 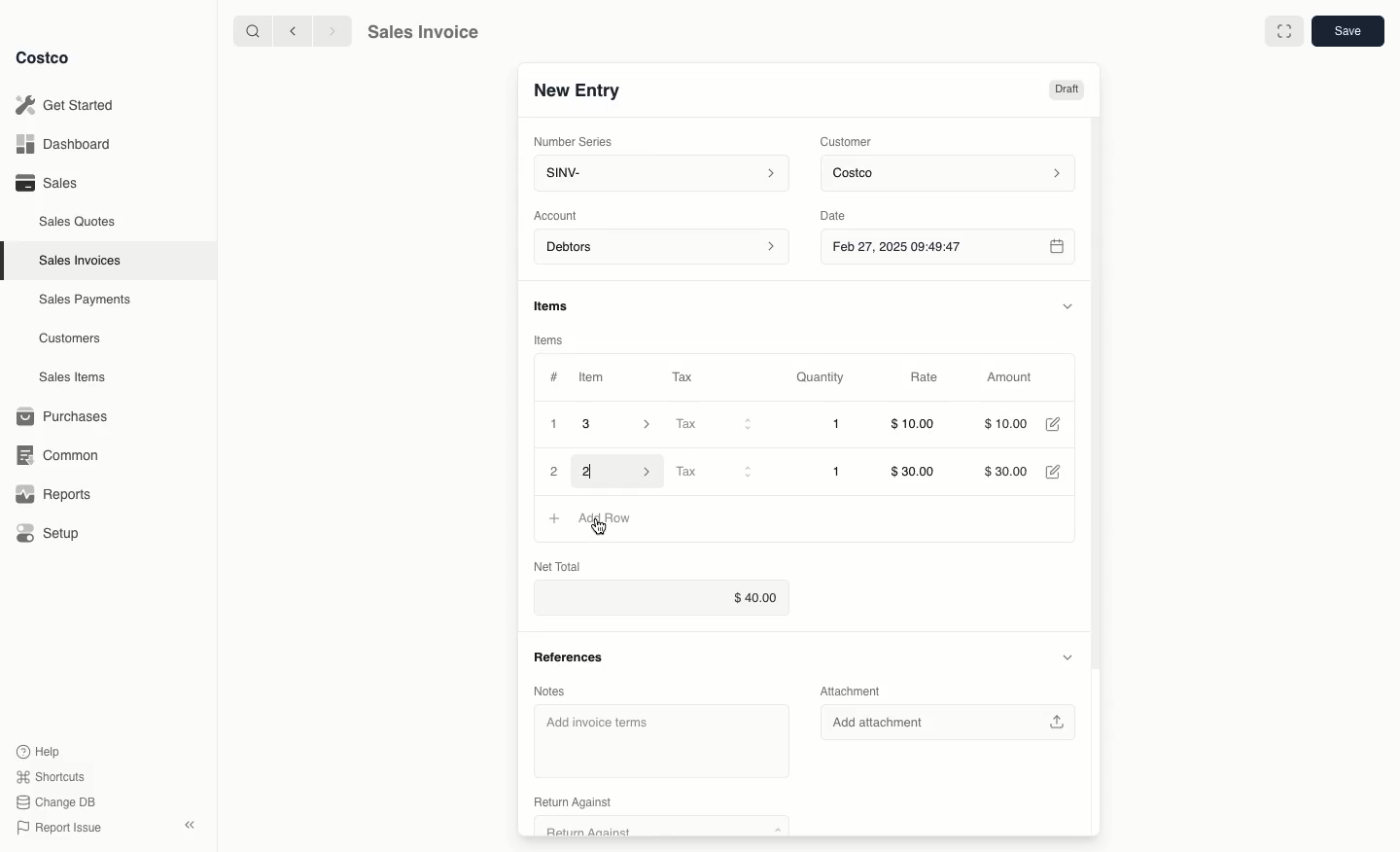 What do you see at coordinates (555, 472) in the screenshot?
I see `2` at bounding box center [555, 472].